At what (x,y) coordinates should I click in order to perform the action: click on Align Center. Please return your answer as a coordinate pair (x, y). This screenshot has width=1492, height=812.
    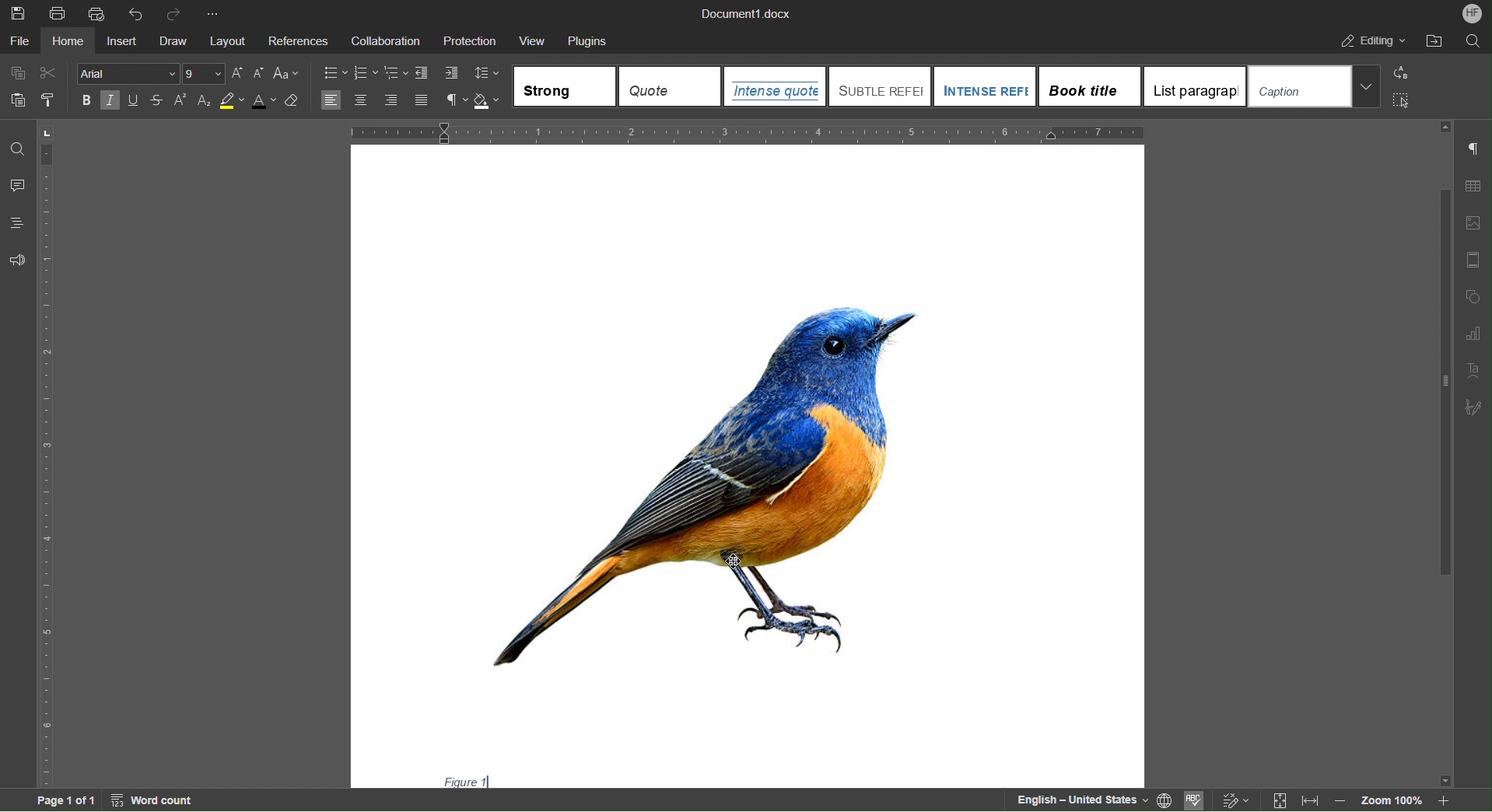
    Looking at the image, I should click on (360, 101).